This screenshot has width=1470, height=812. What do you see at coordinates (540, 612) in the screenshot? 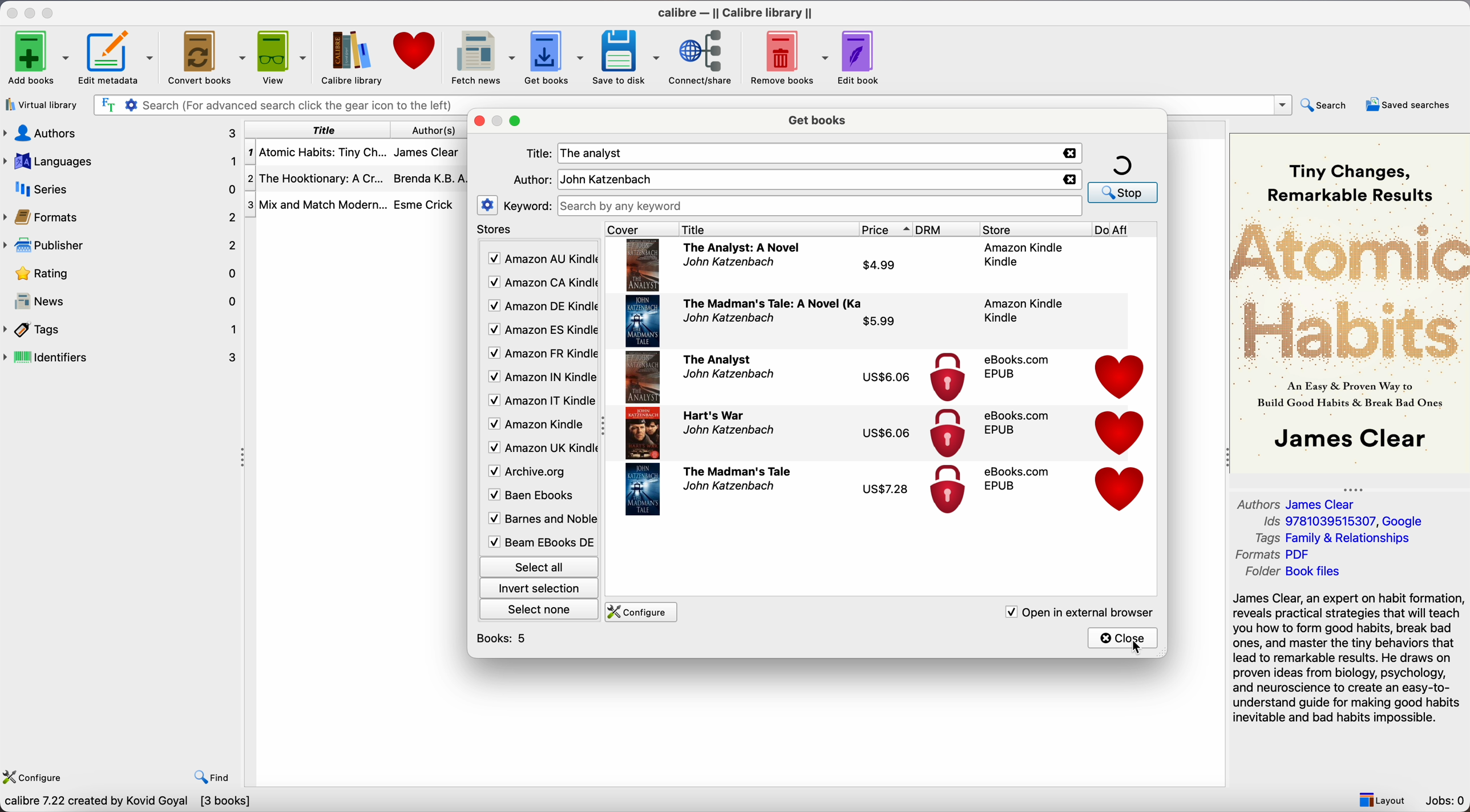
I see `select none` at bounding box center [540, 612].